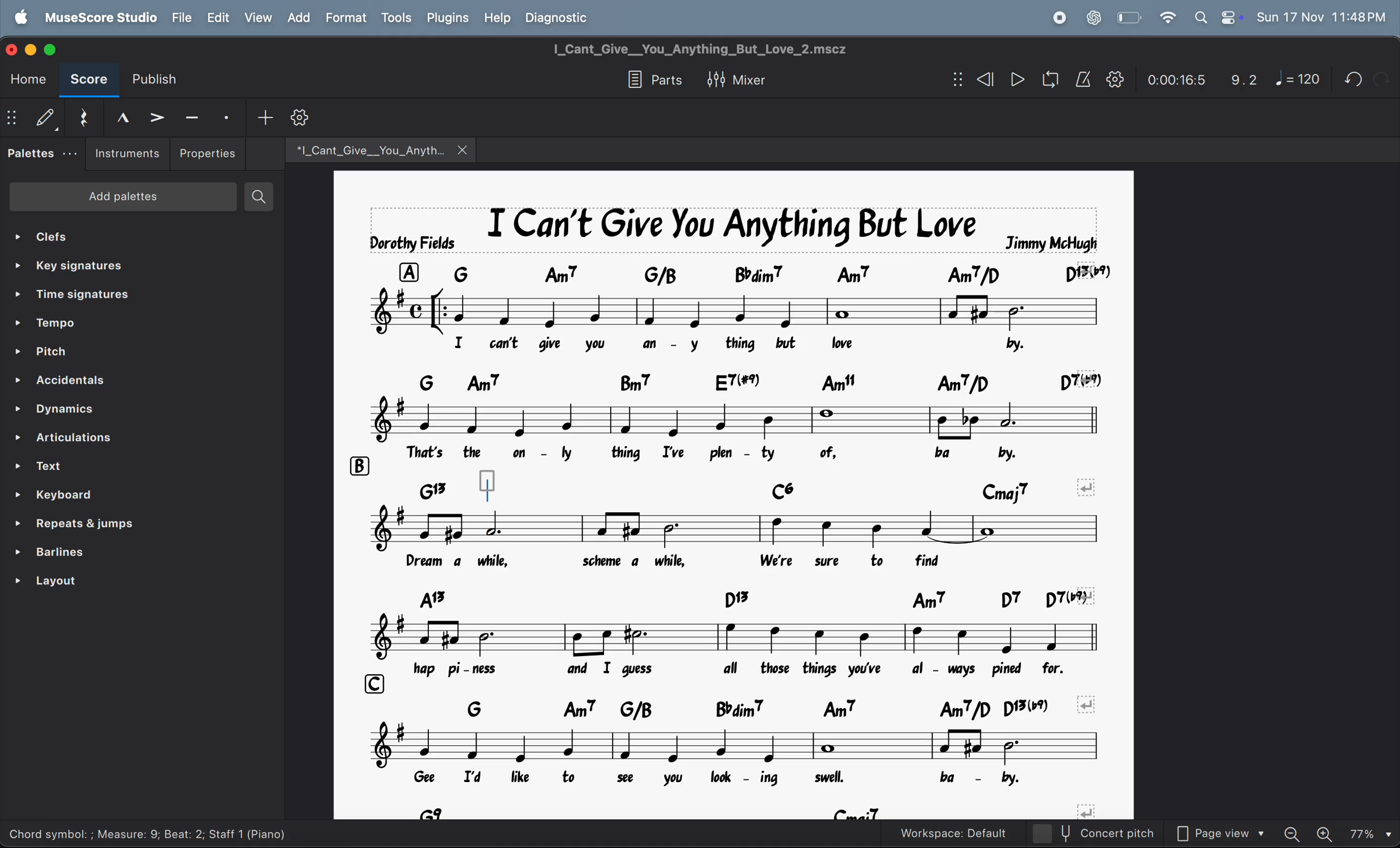 Image resolution: width=1400 pixels, height=848 pixels. Describe the element at coordinates (973, 79) in the screenshot. I see `rewind` at that location.